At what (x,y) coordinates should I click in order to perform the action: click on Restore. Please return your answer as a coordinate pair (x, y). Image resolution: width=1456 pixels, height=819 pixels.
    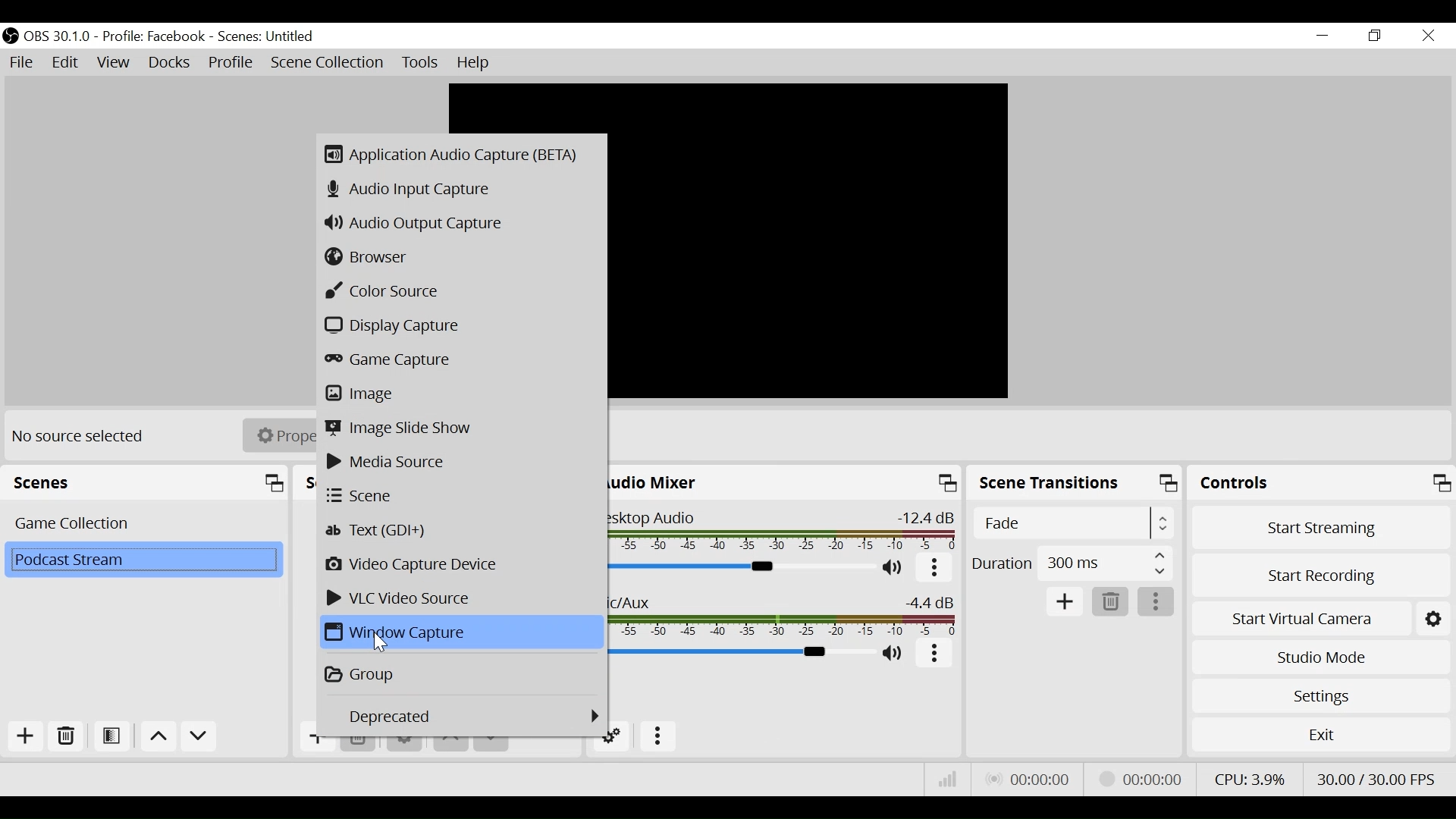
    Looking at the image, I should click on (1376, 36).